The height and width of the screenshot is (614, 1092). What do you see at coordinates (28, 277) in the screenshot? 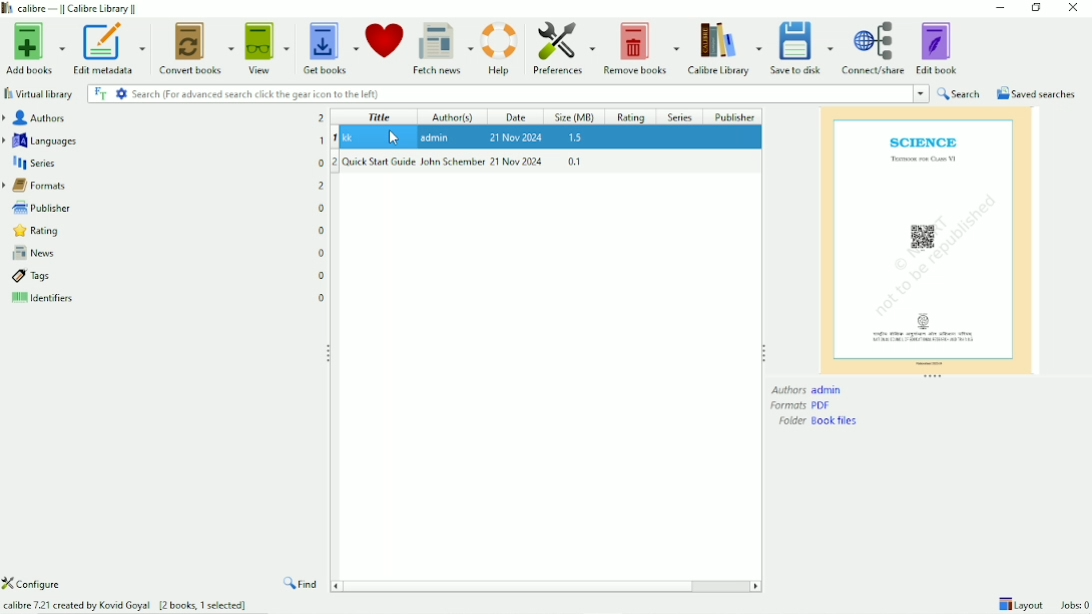
I see `Tags` at bounding box center [28, 277].